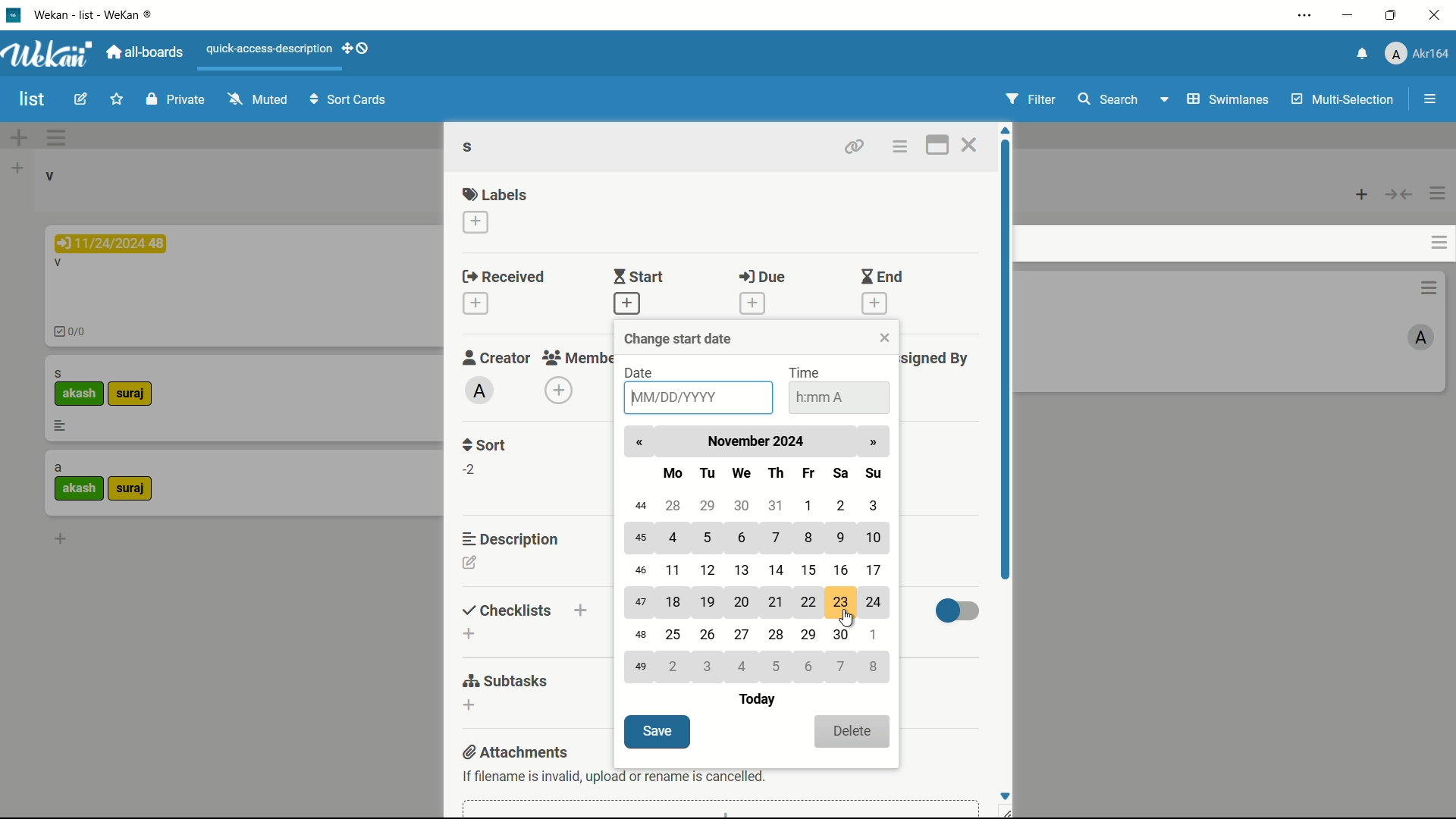 This screenshot has width=1456, height=819. What do you see at coordinates (1107, 99) in the screenshot?
I see `search` at bounding box center [1107, 99].